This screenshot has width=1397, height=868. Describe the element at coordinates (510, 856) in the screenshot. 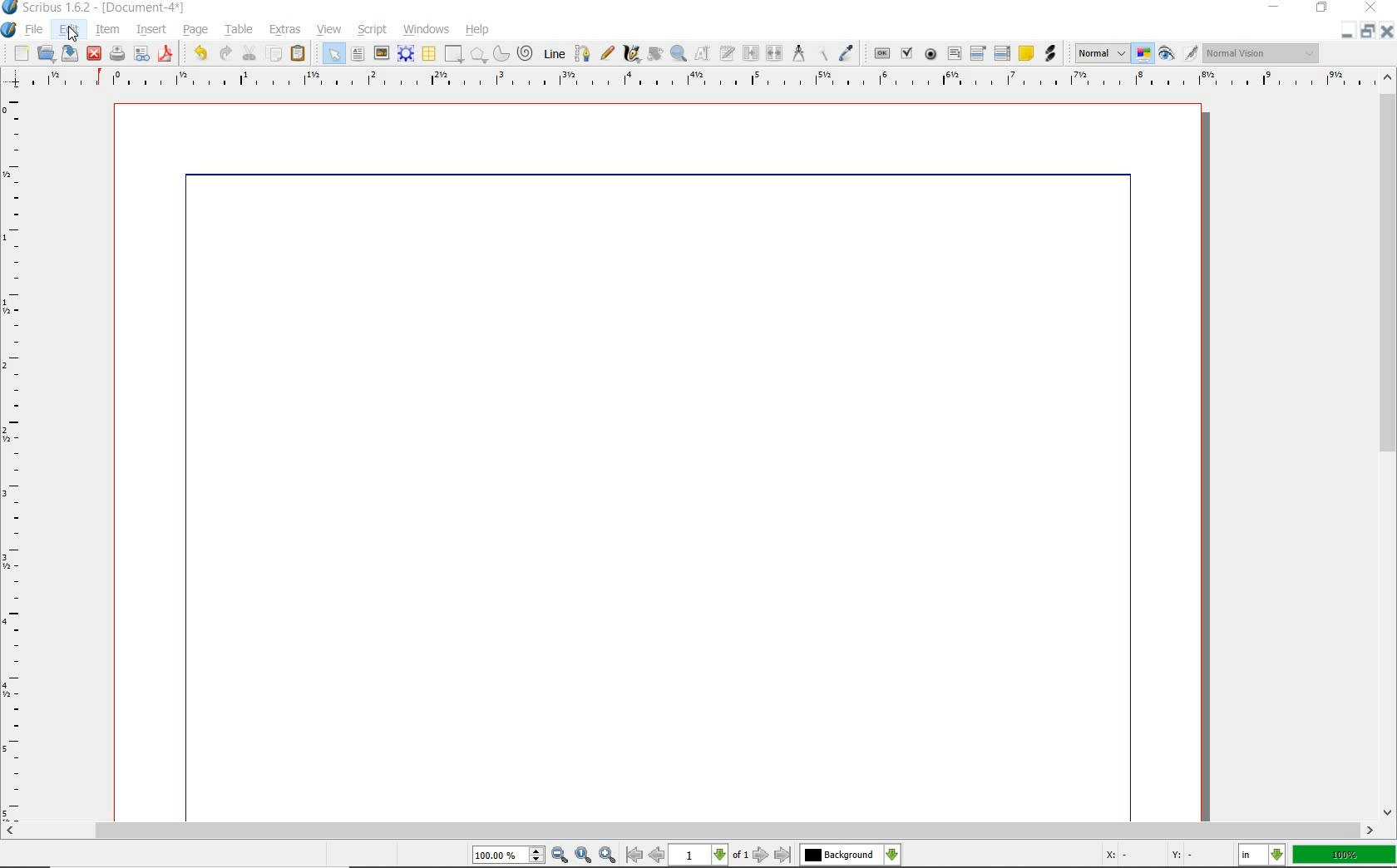

I see `100.00%` at that location.